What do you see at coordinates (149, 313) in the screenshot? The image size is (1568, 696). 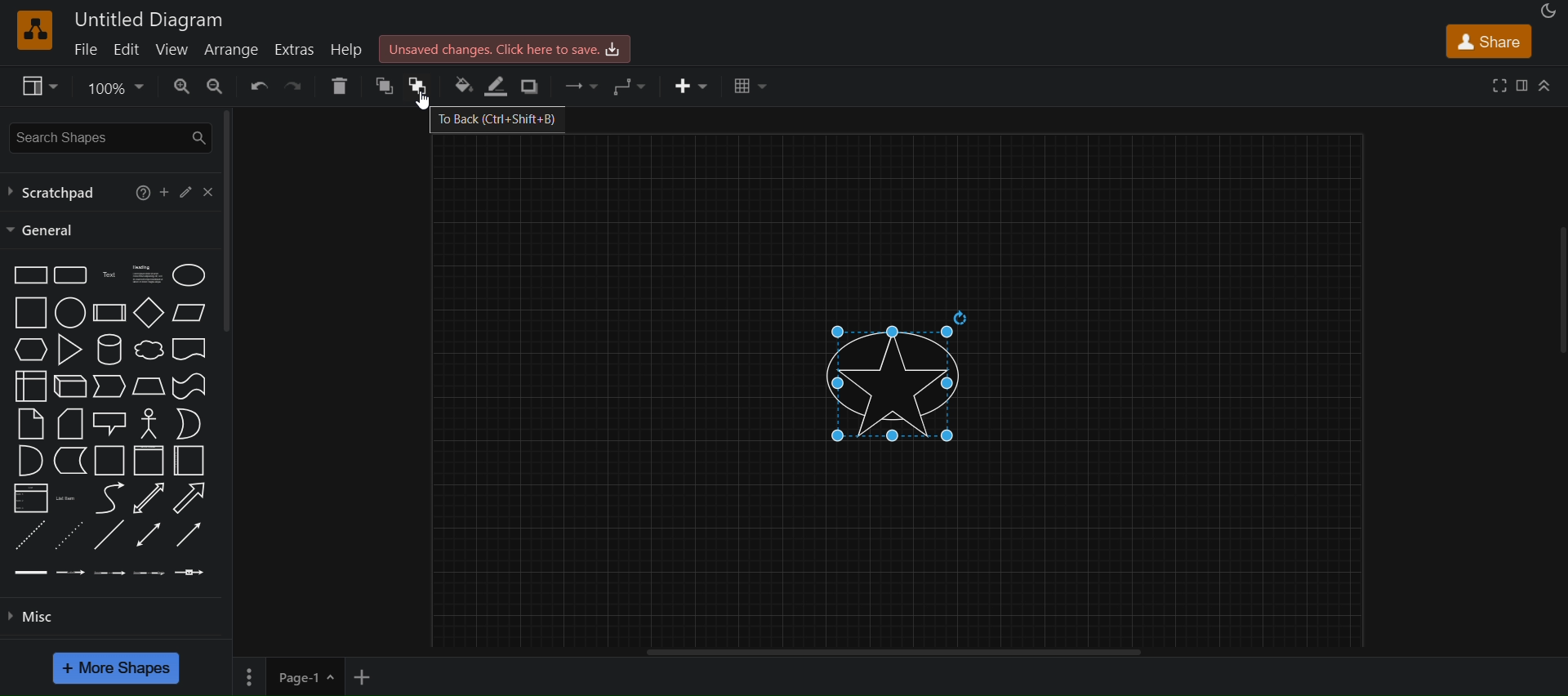 I see `diamond` at bounding box center [149, 313].